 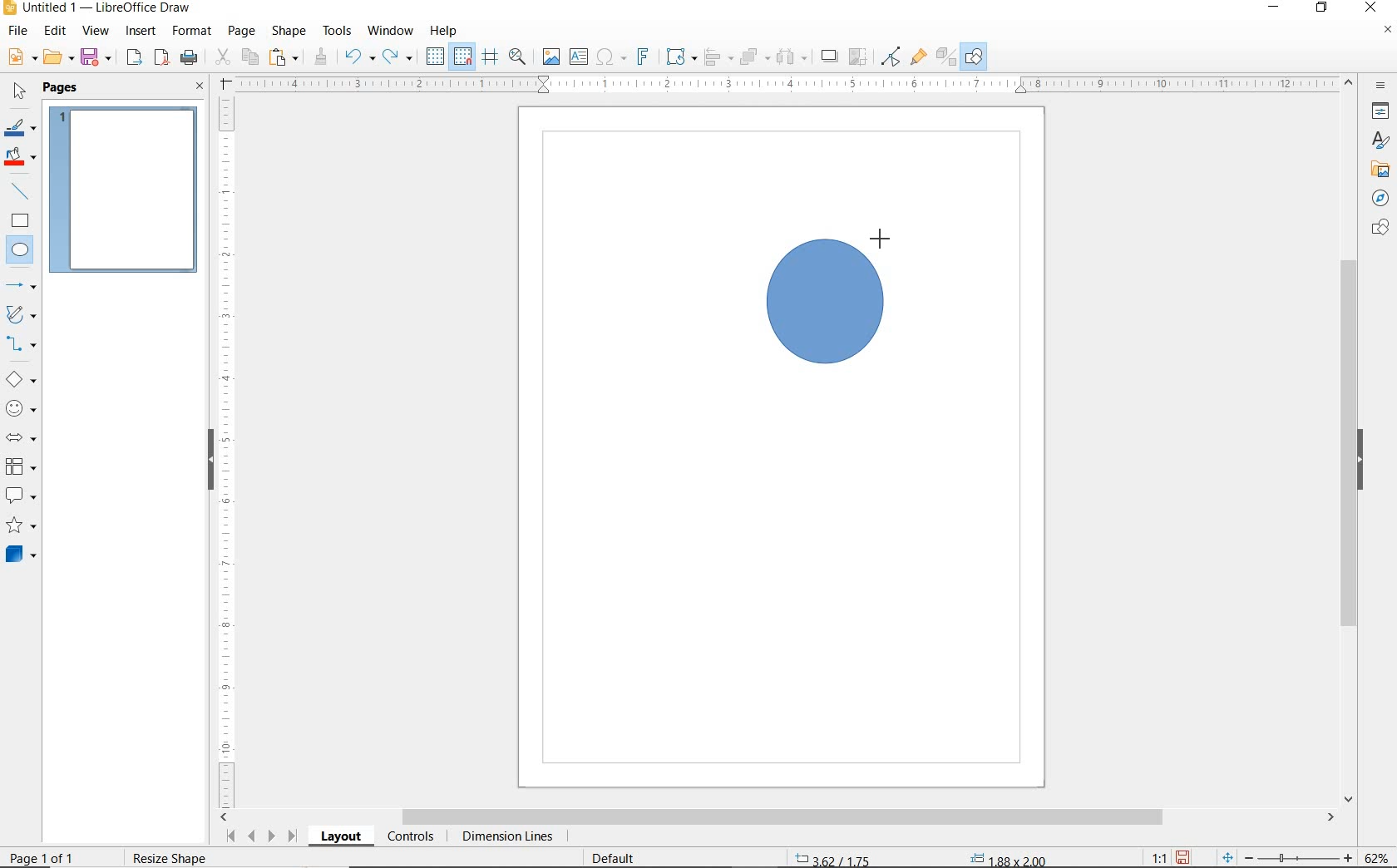 I want to click on 3D OBJECTS, so click(x=19, y=556).